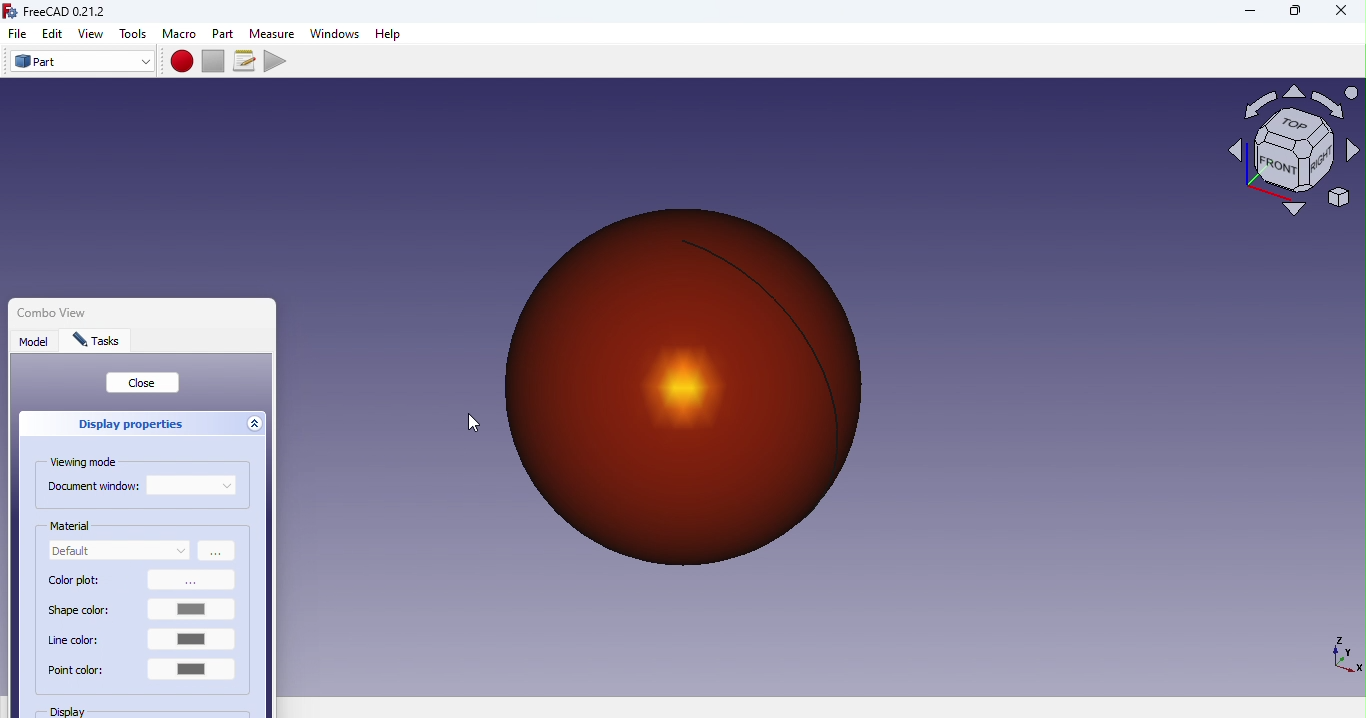 The width and height of the screenshot is (1366, 718). What do you see at coordinates (93, 308) in the screenshot?
I see `Combo view` at bounding box center [93, 308].